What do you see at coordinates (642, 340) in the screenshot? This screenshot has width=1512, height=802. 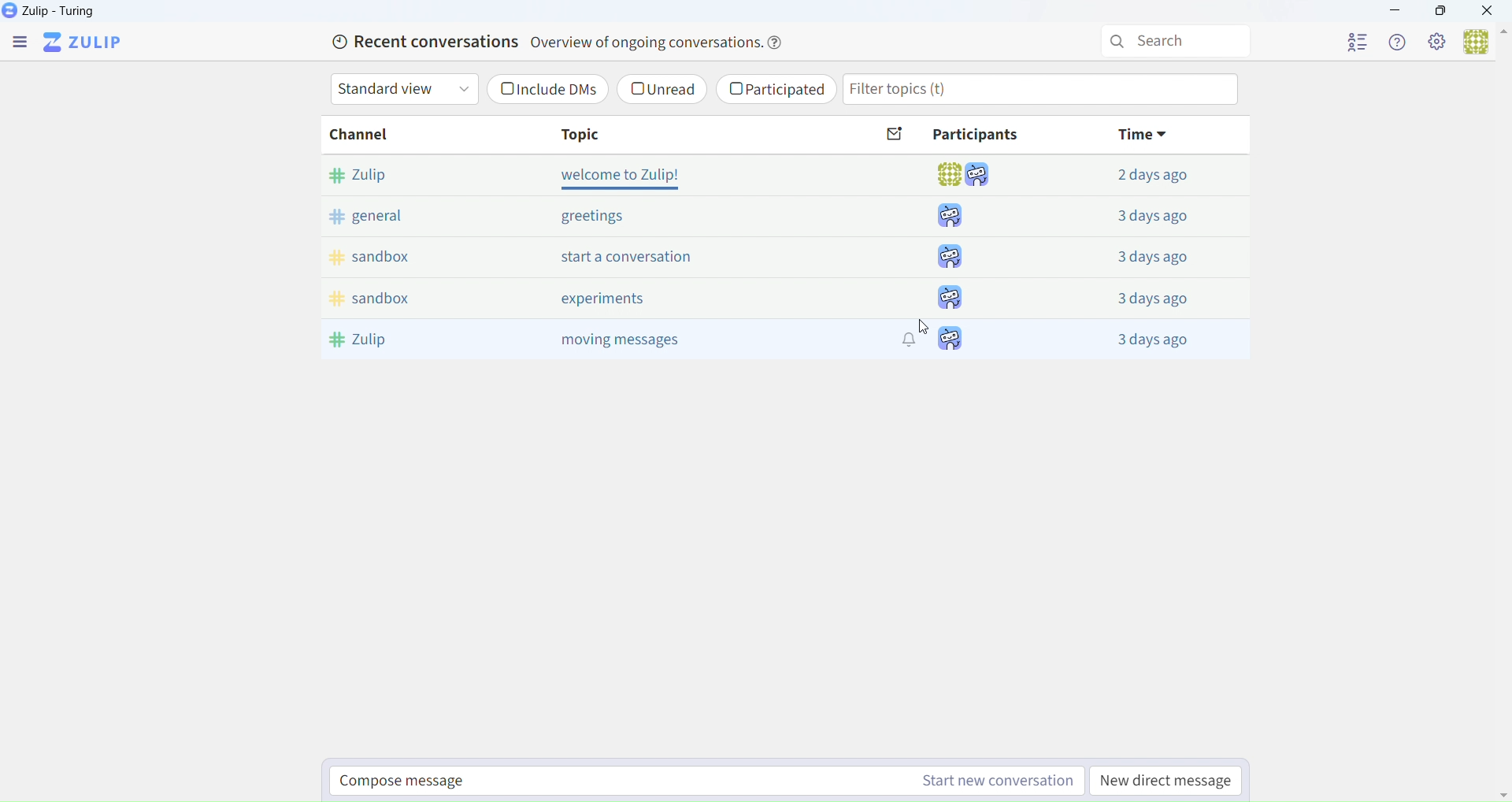 I see `moving messages` at bounding box center [642, 340].